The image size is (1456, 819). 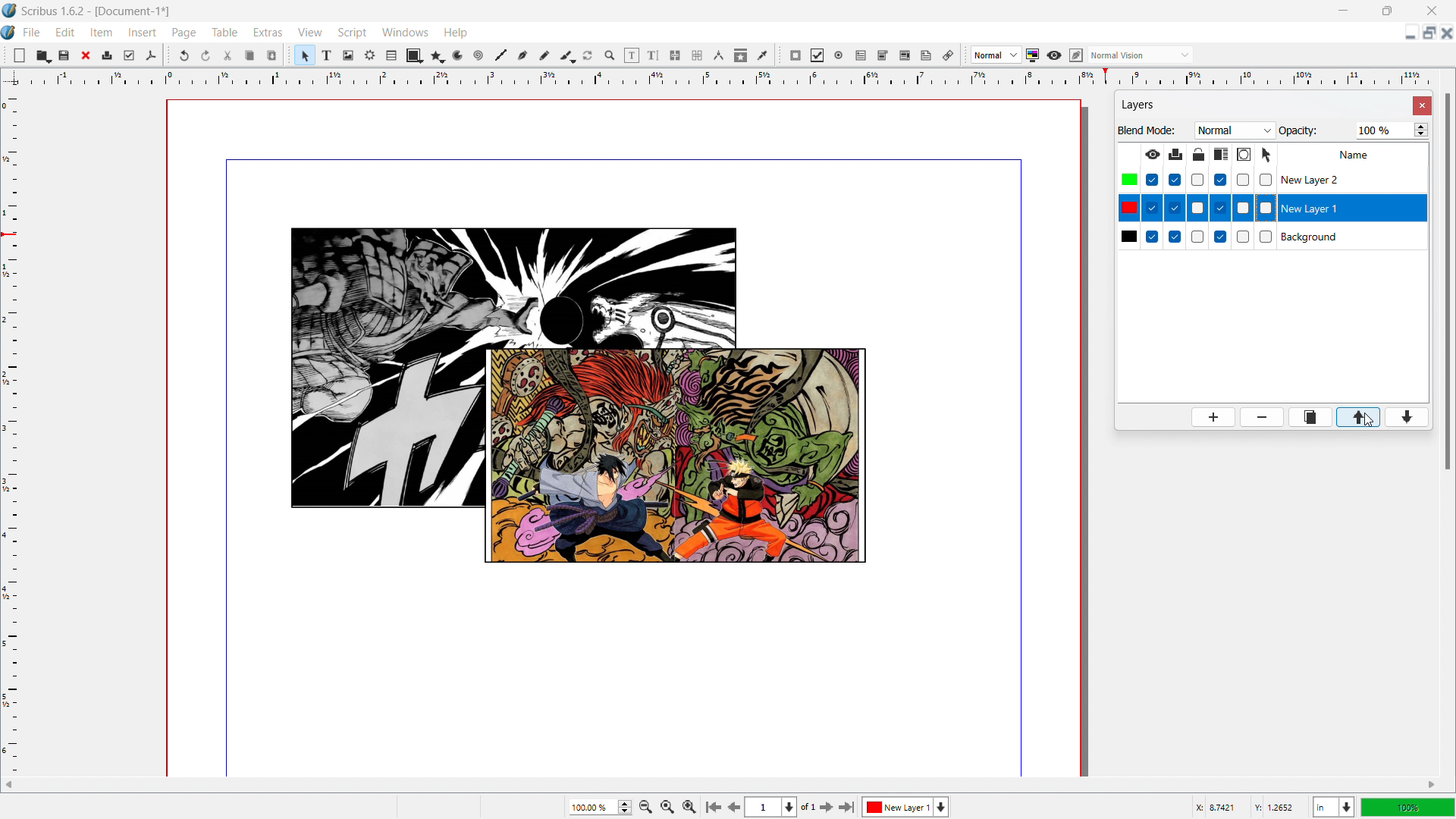 I want to click on layer 2, so click(x=1351, y=180).